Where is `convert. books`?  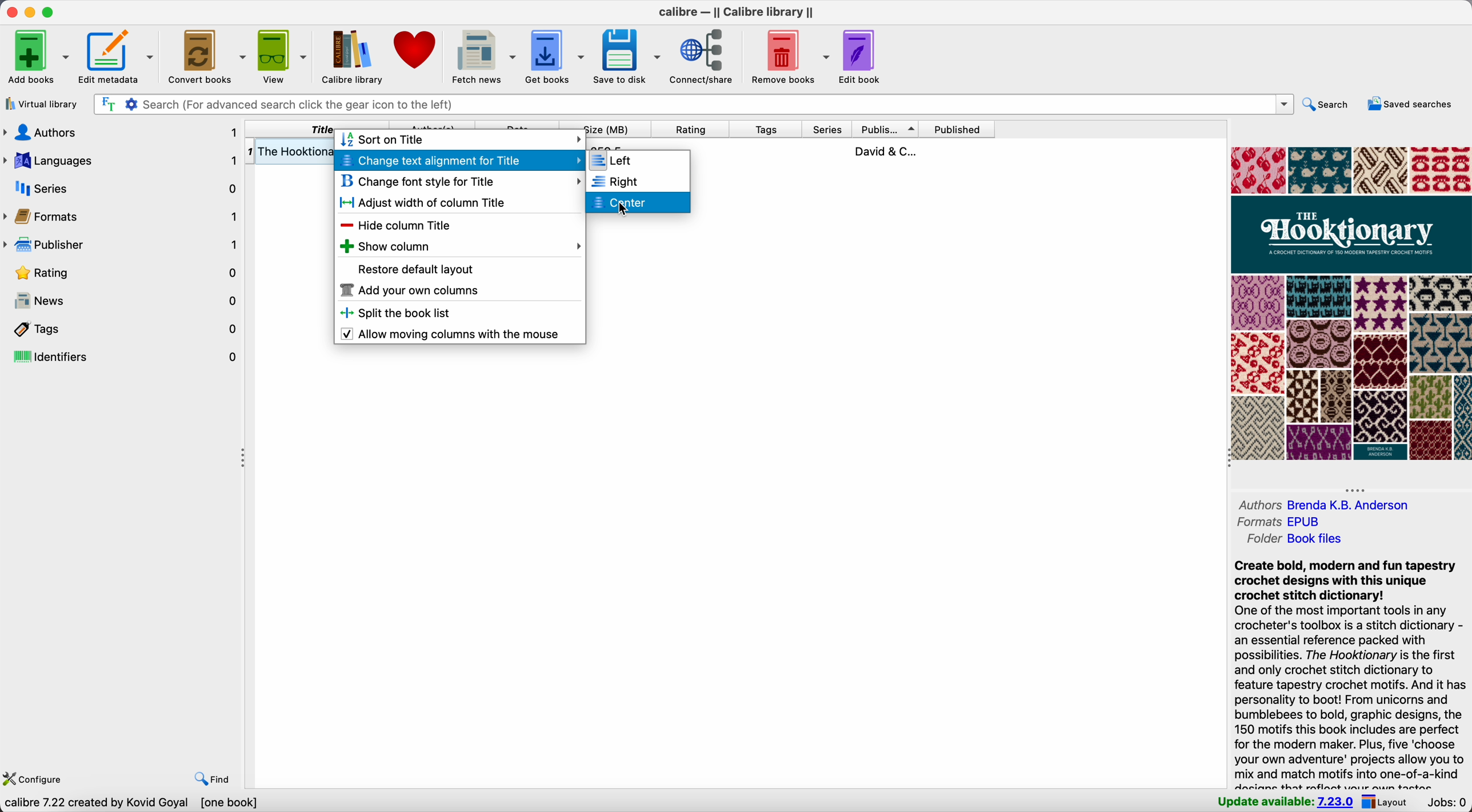 convert. books is located at coordinates (208, 57).